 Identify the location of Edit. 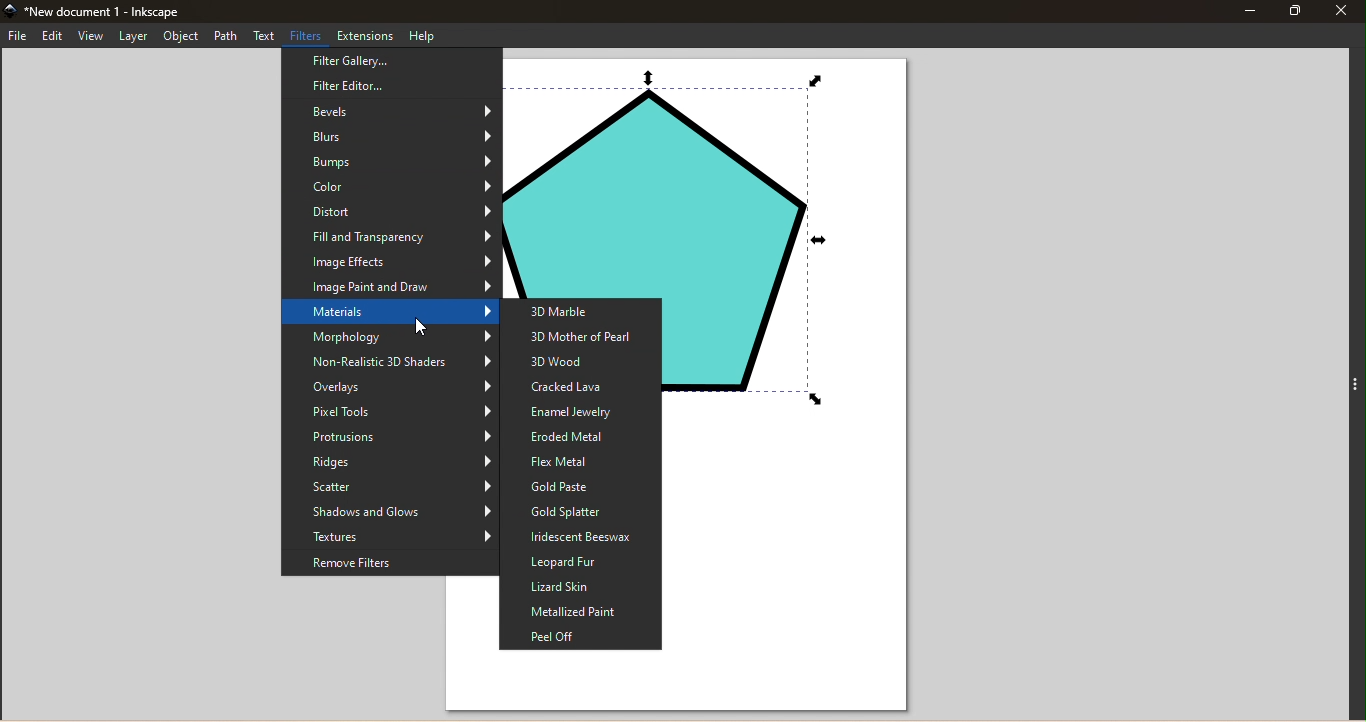
(51, 36).